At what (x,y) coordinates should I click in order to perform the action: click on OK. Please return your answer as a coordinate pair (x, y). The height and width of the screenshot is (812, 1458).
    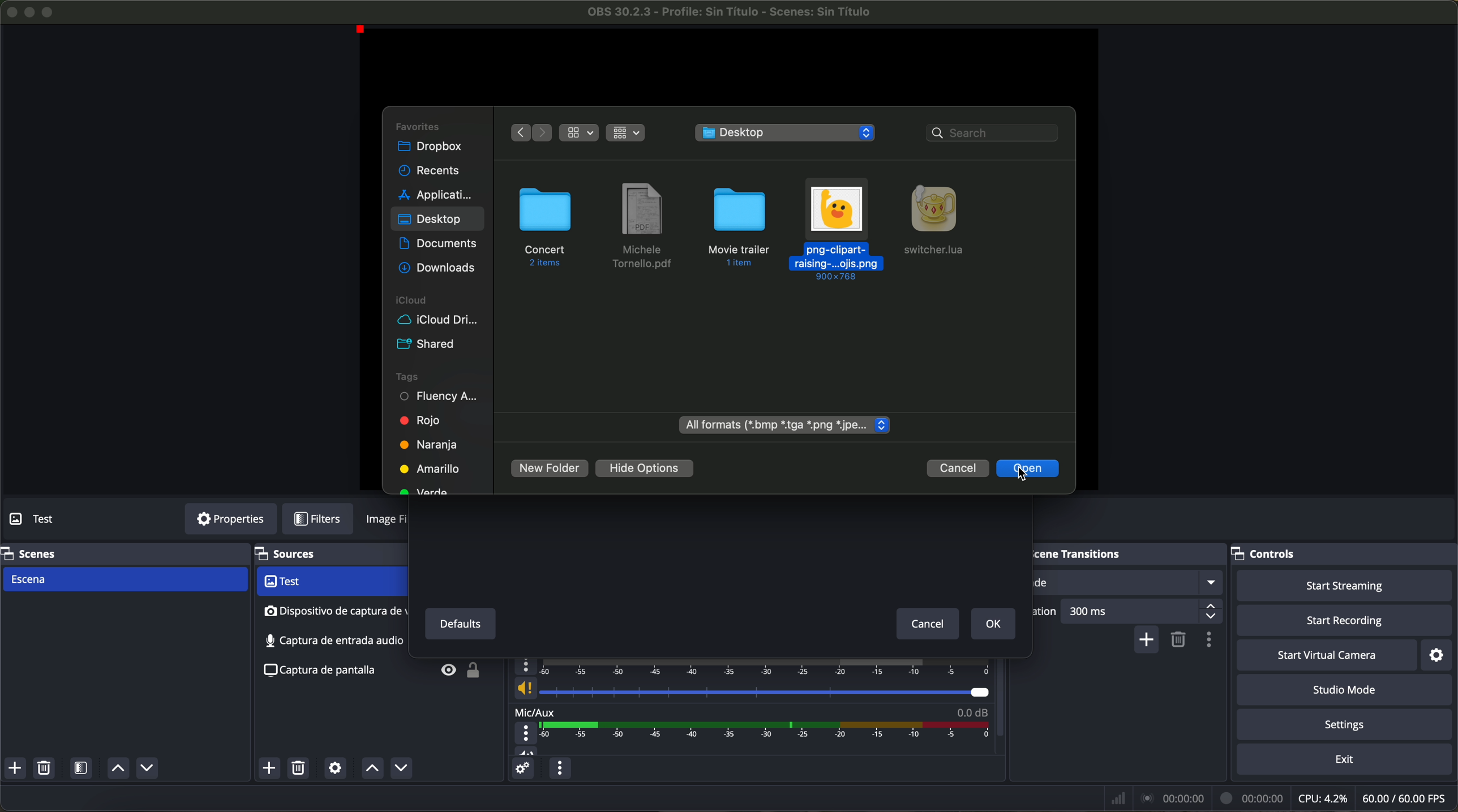
    Looking at the image, I should click on (993, 625).